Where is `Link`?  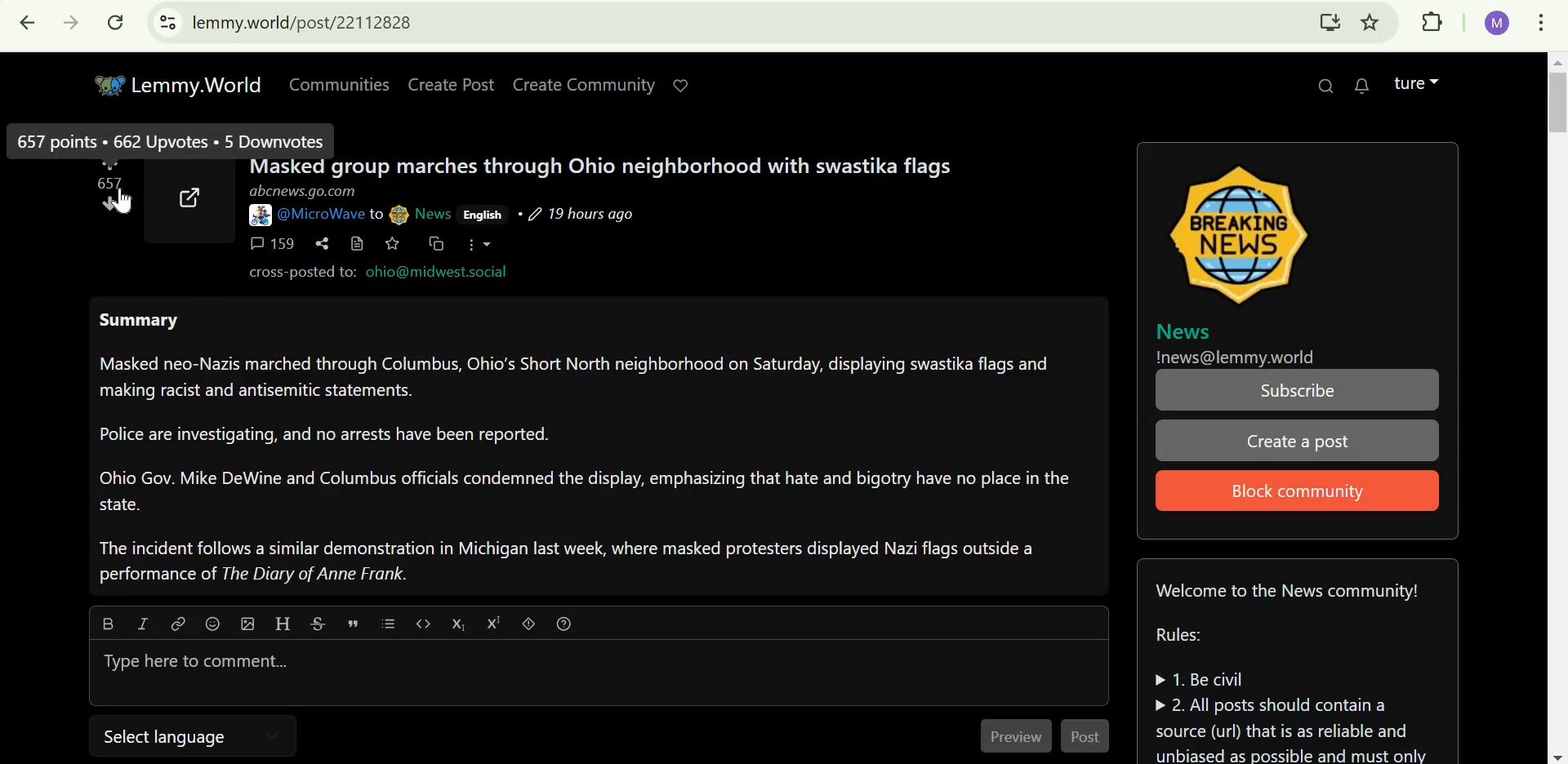 Link is located at coordinates (178, 623).